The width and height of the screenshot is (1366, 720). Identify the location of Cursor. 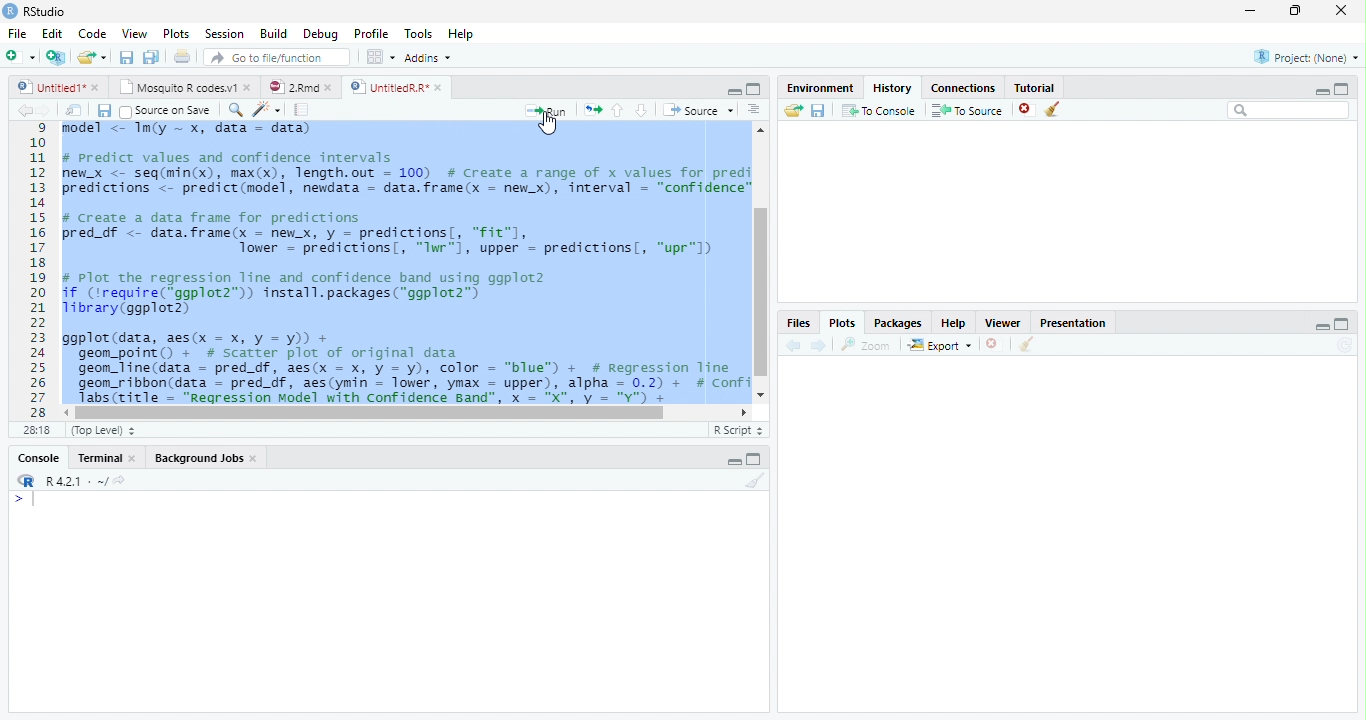
(38, 498).